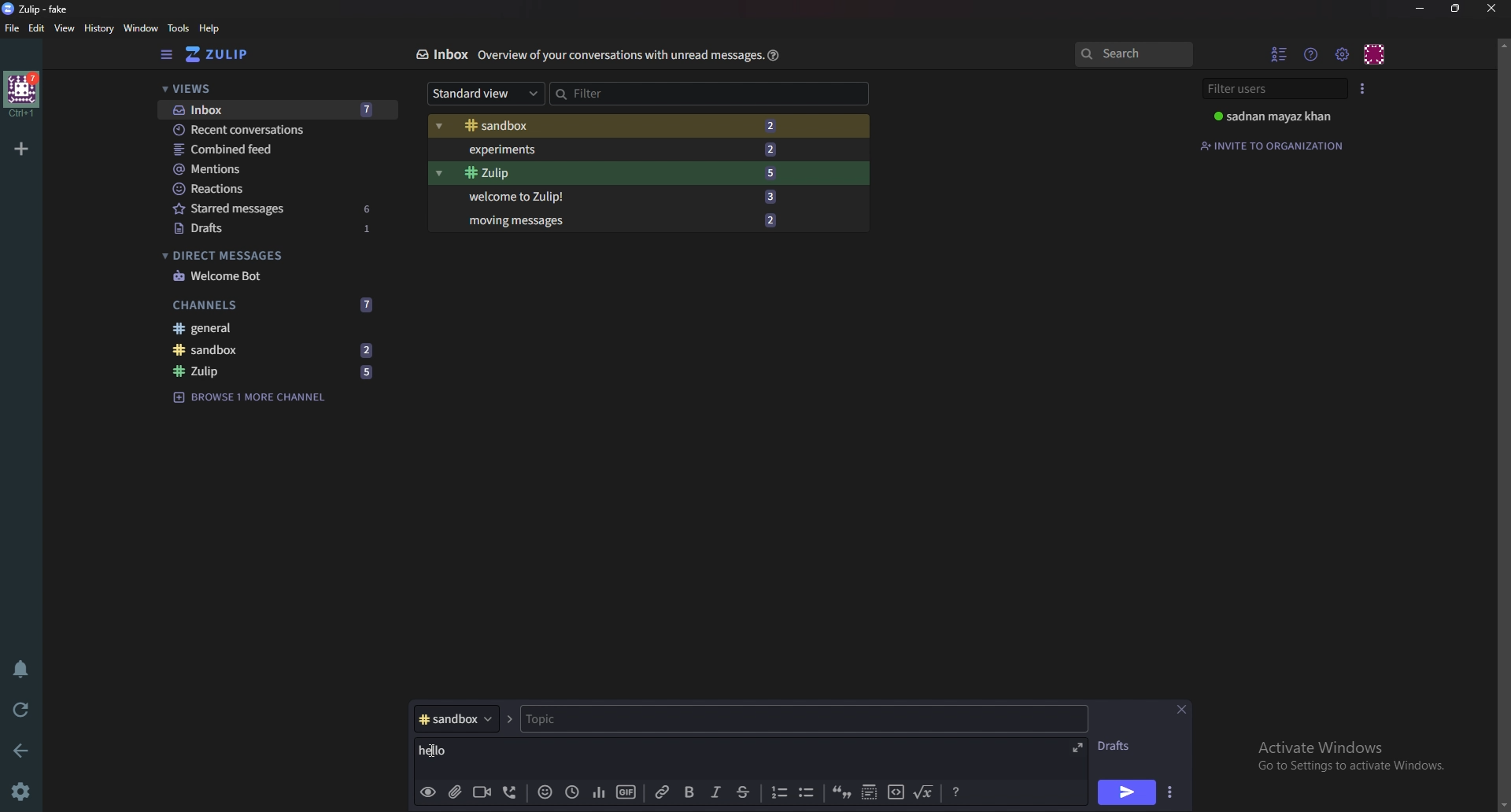  Describe the element at coordinates (610, 149) in the screenshot. I see `Experiments 2` at that location.